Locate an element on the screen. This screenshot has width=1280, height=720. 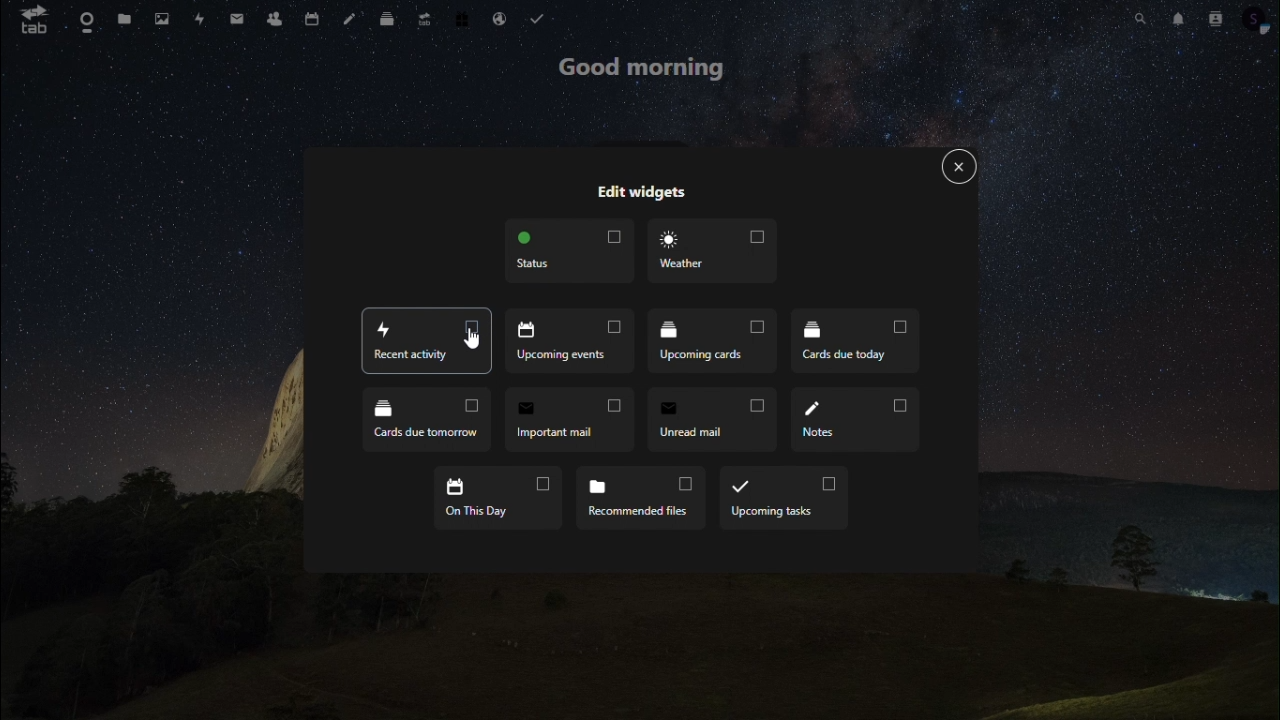
recommended files is located at coordinates (640, 499).